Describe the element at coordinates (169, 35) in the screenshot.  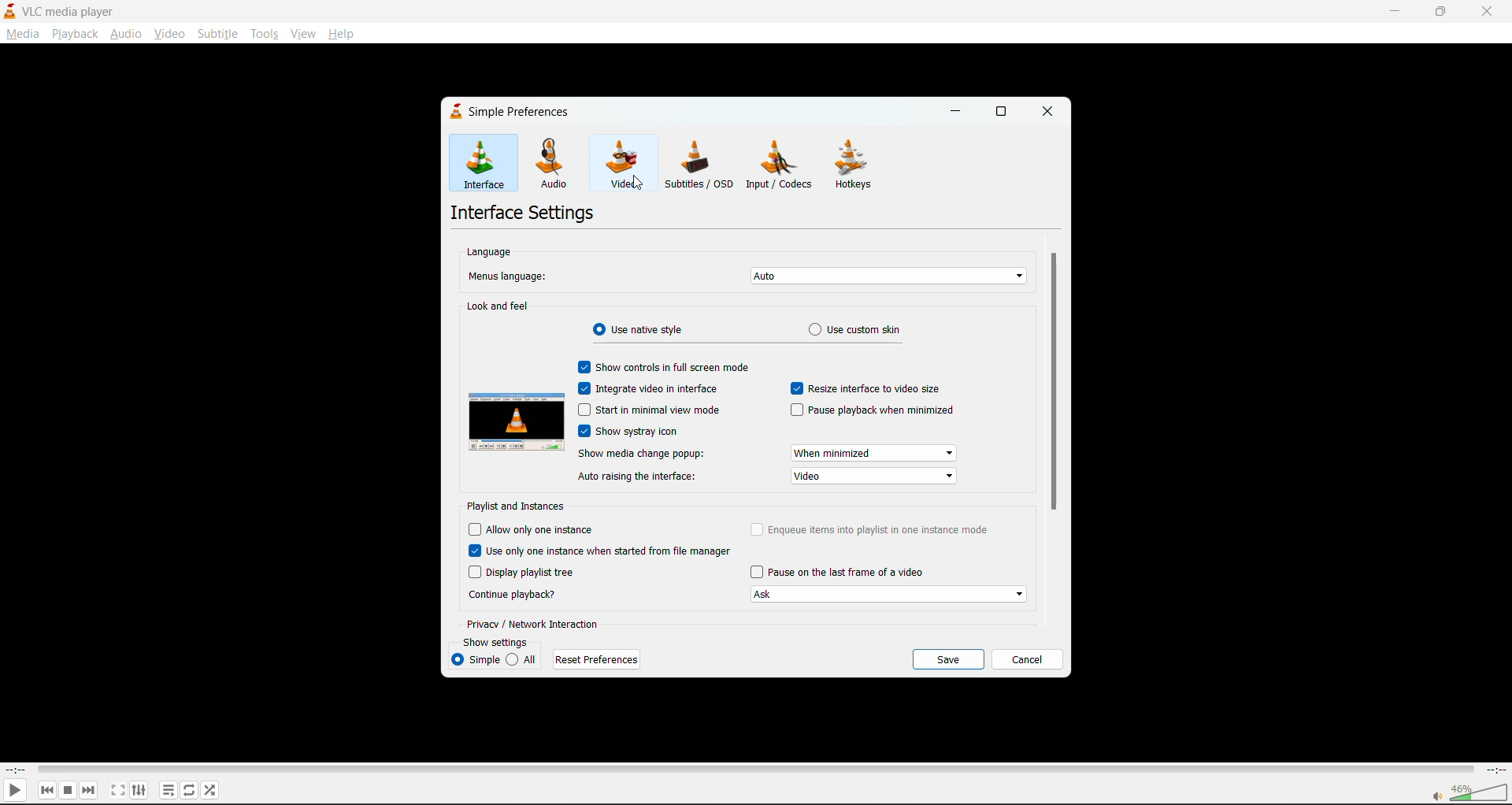
I see `video` at that location.